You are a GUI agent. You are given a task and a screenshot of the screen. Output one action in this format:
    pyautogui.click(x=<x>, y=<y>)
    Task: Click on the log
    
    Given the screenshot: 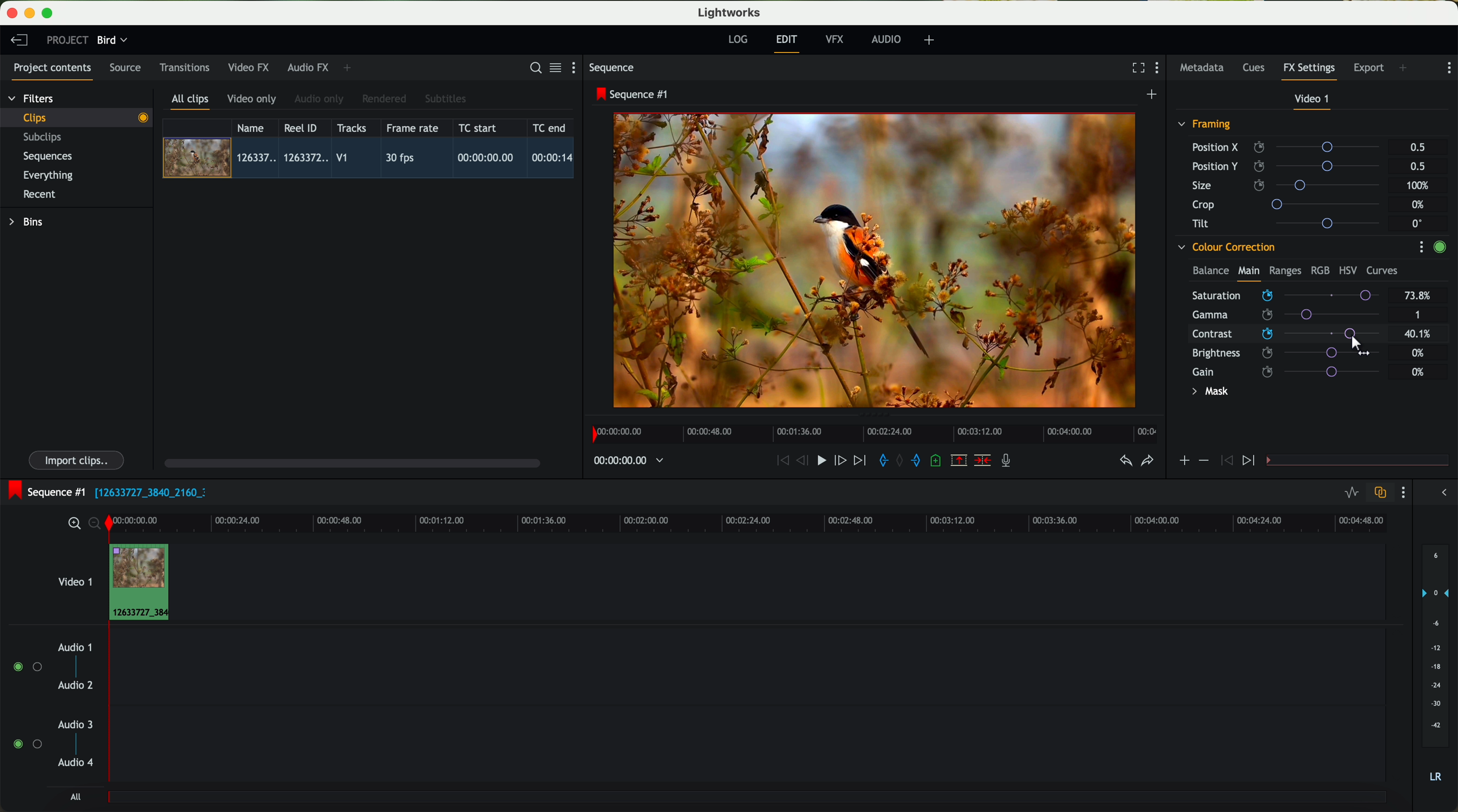 What is the action you would take?
    pyautogui.click(x=737, y=40)
    